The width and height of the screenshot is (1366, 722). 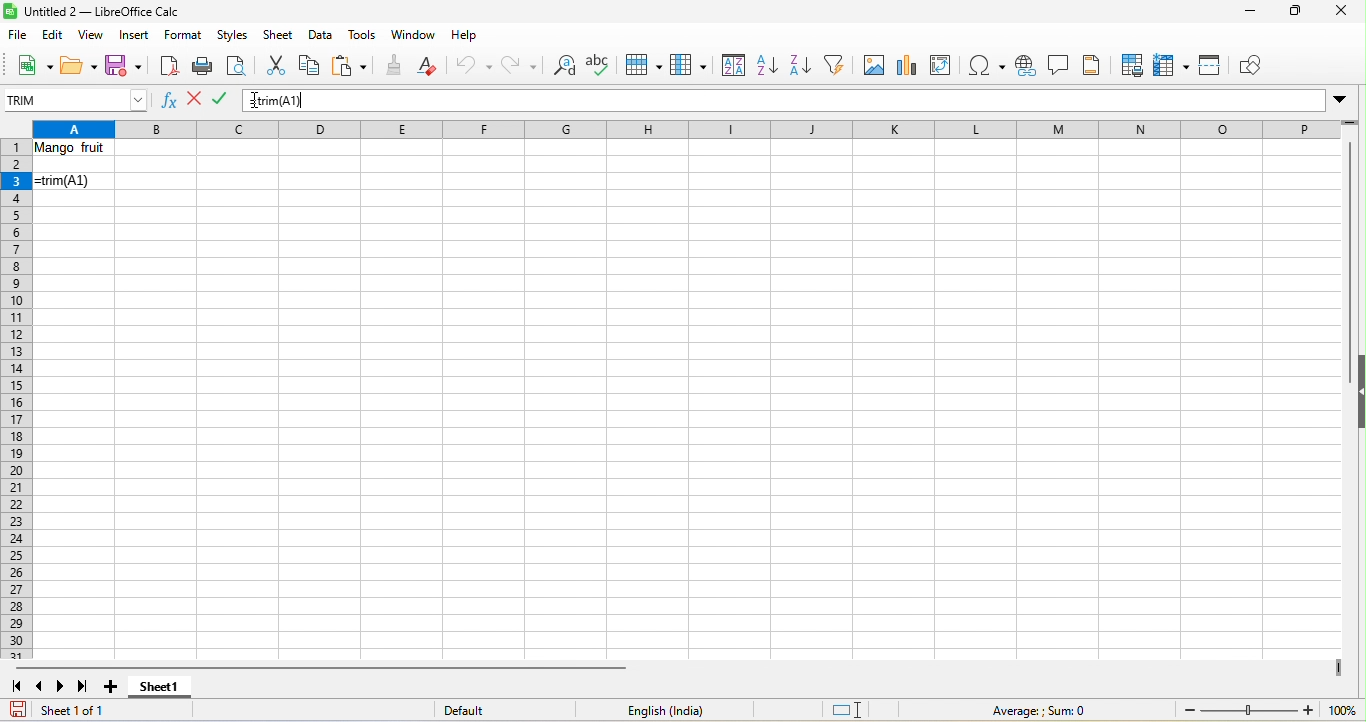 I want to click on sort descending, so click(x=800, y=67).